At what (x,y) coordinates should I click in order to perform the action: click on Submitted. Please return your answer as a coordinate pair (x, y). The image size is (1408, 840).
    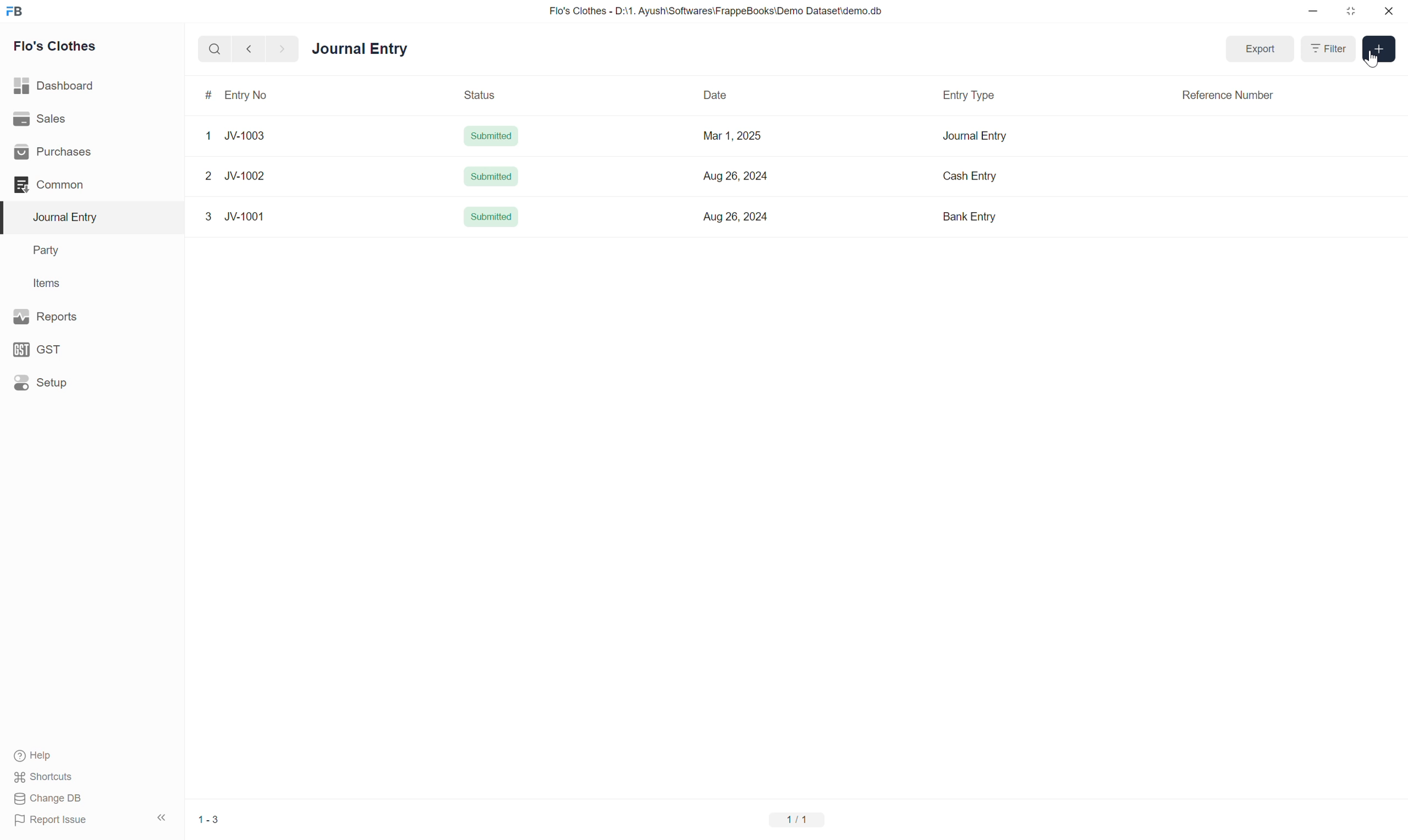
    Looking at the image, I should click on (491, 175).